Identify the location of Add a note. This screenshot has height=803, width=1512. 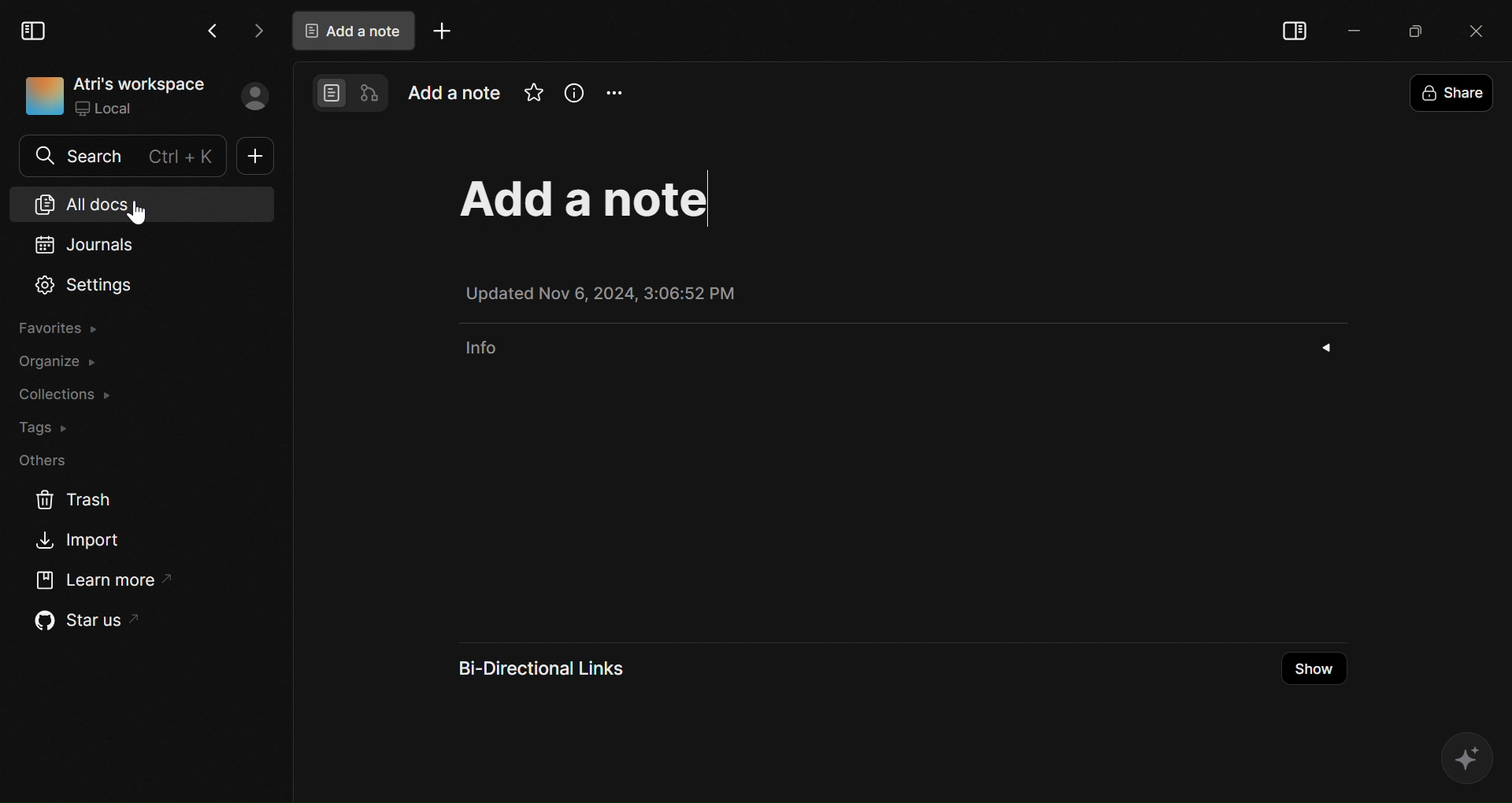
(355, 30).